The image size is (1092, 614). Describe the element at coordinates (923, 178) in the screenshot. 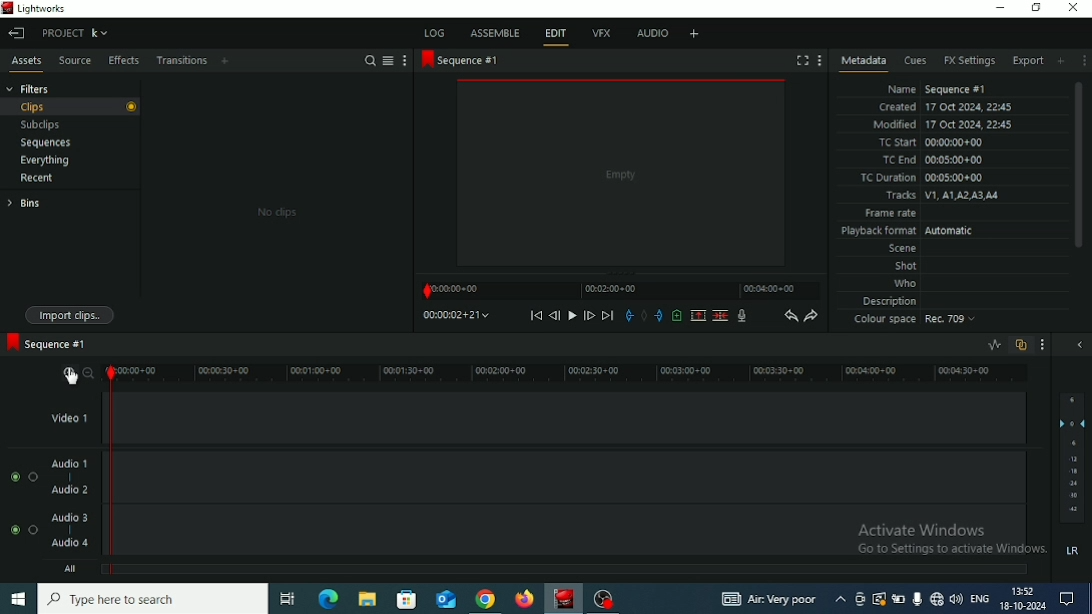

I see `TC Duration` at that location.